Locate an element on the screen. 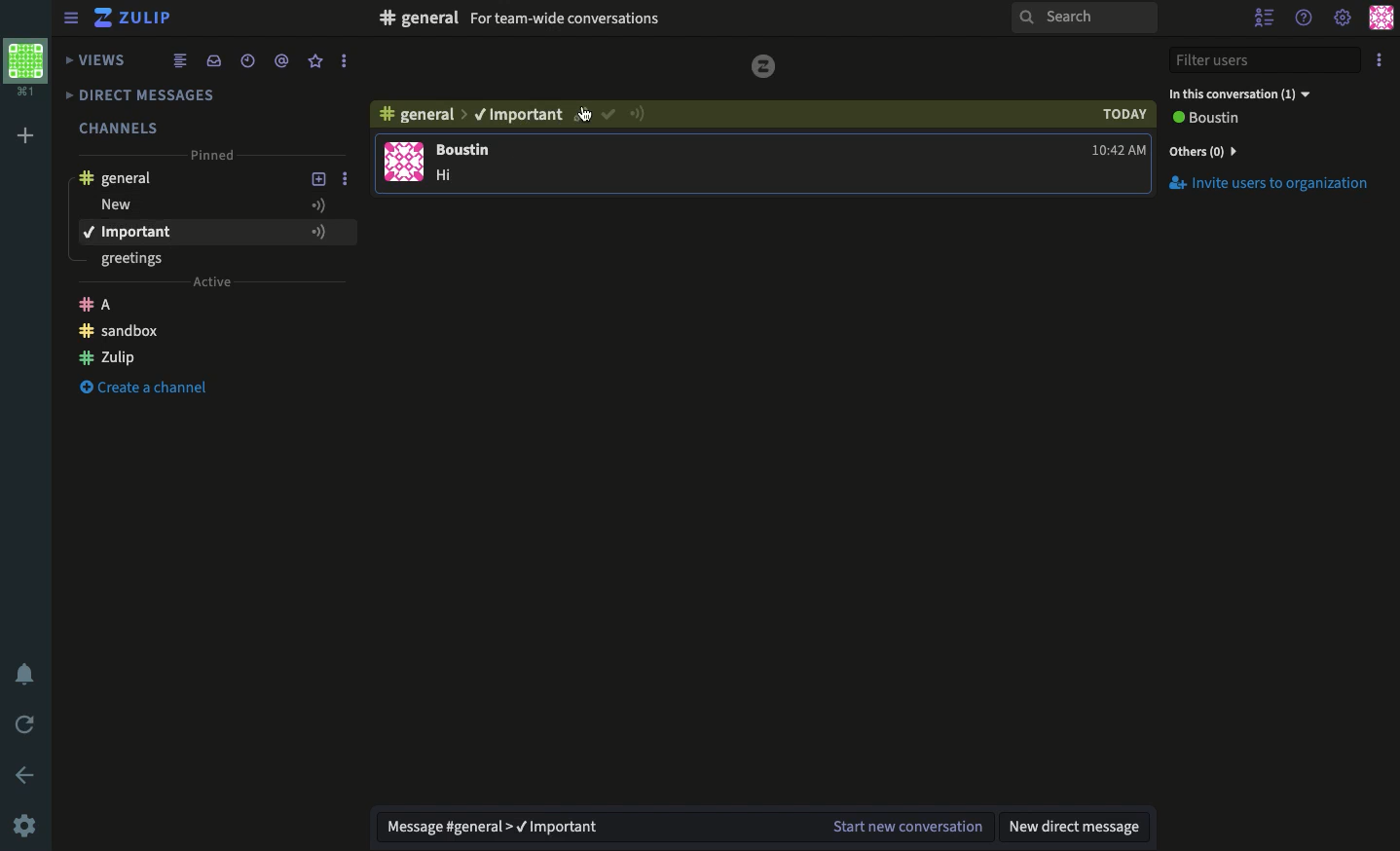  Favorite is located at coordinates (316, 61).